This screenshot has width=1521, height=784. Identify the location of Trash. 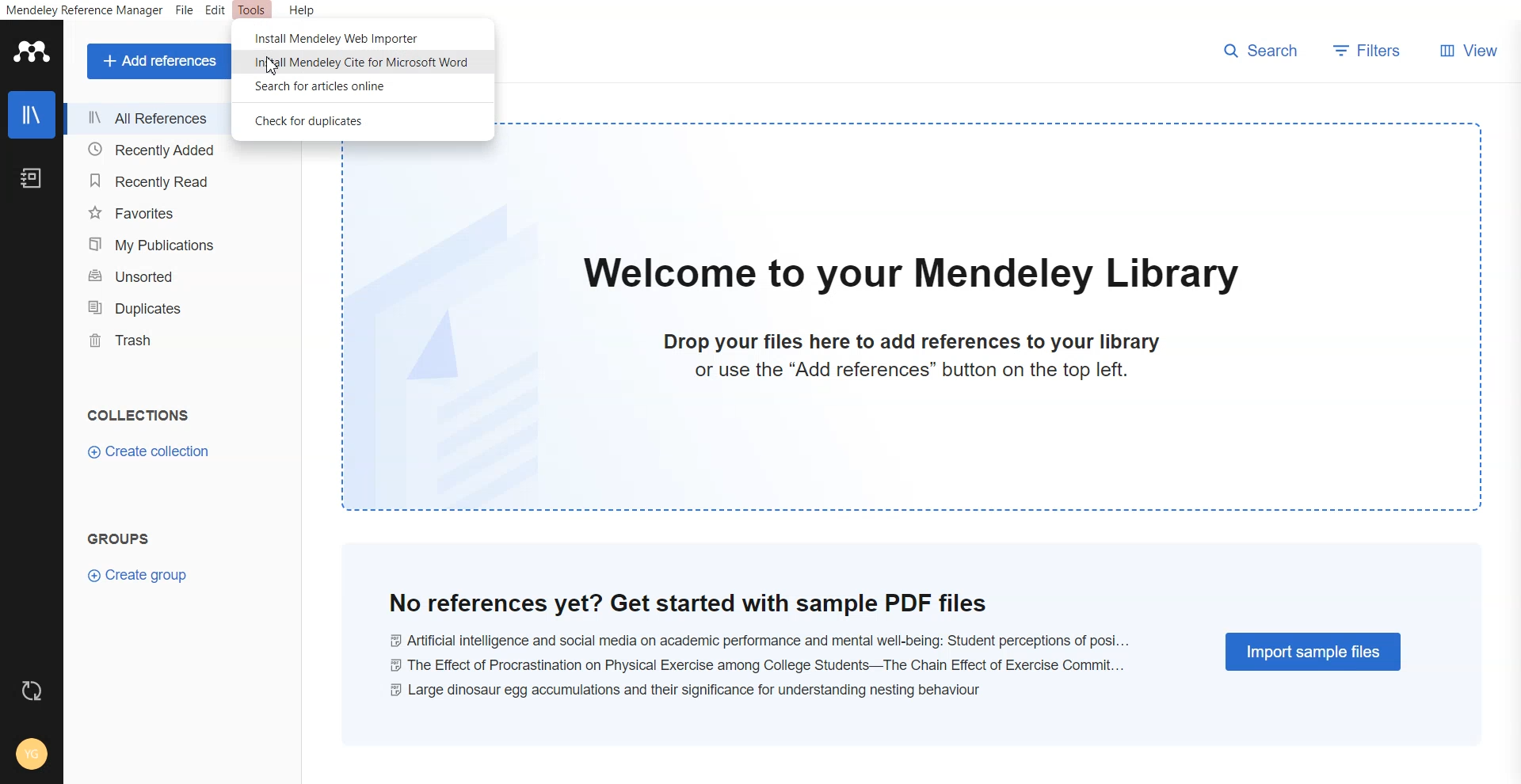
(181, 338).